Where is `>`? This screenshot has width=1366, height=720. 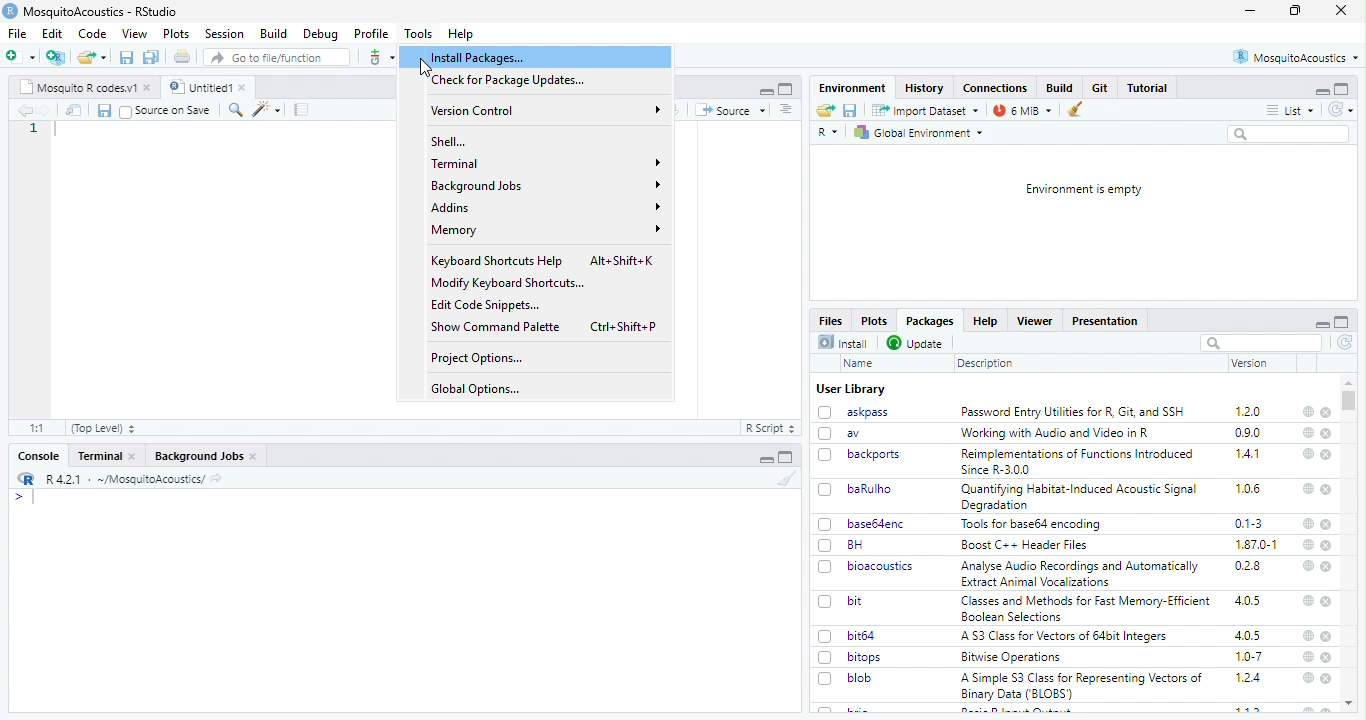 > is located at coordinates (18, 497).